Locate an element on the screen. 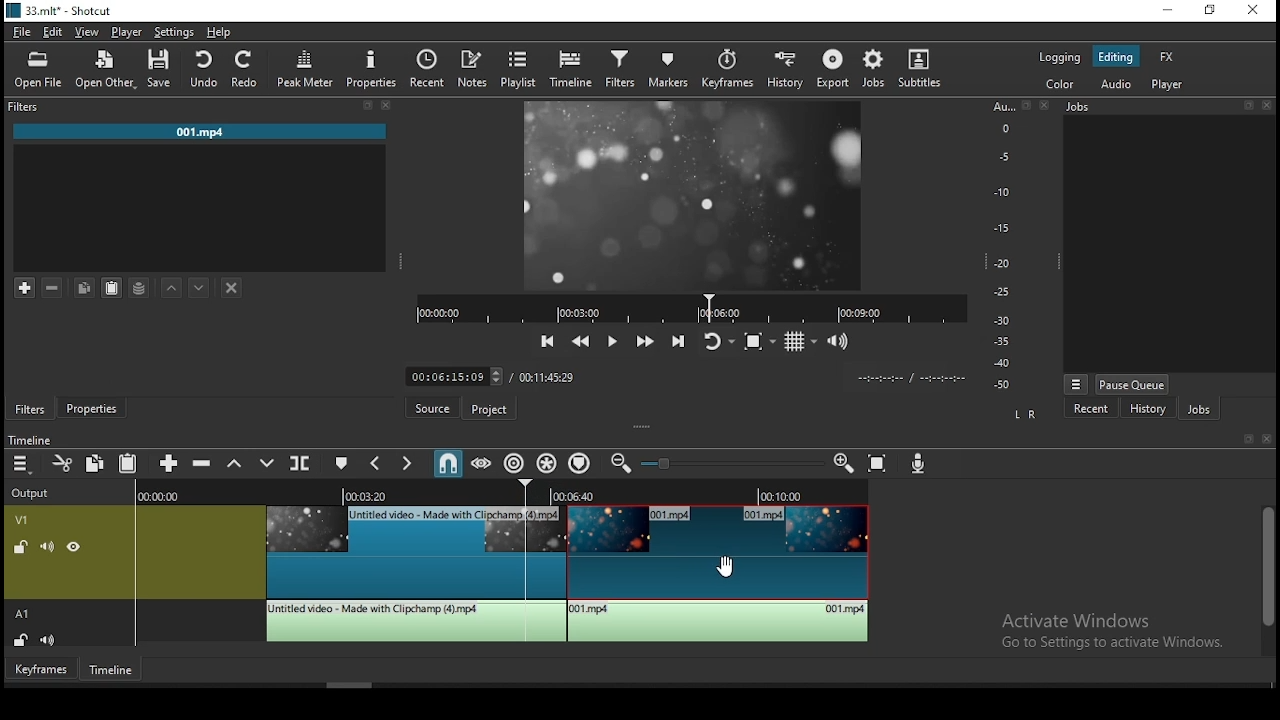 Image resolution: width=1280 pixels, height=720 pixels. scroll bar is located at coordinates (1266, 580).